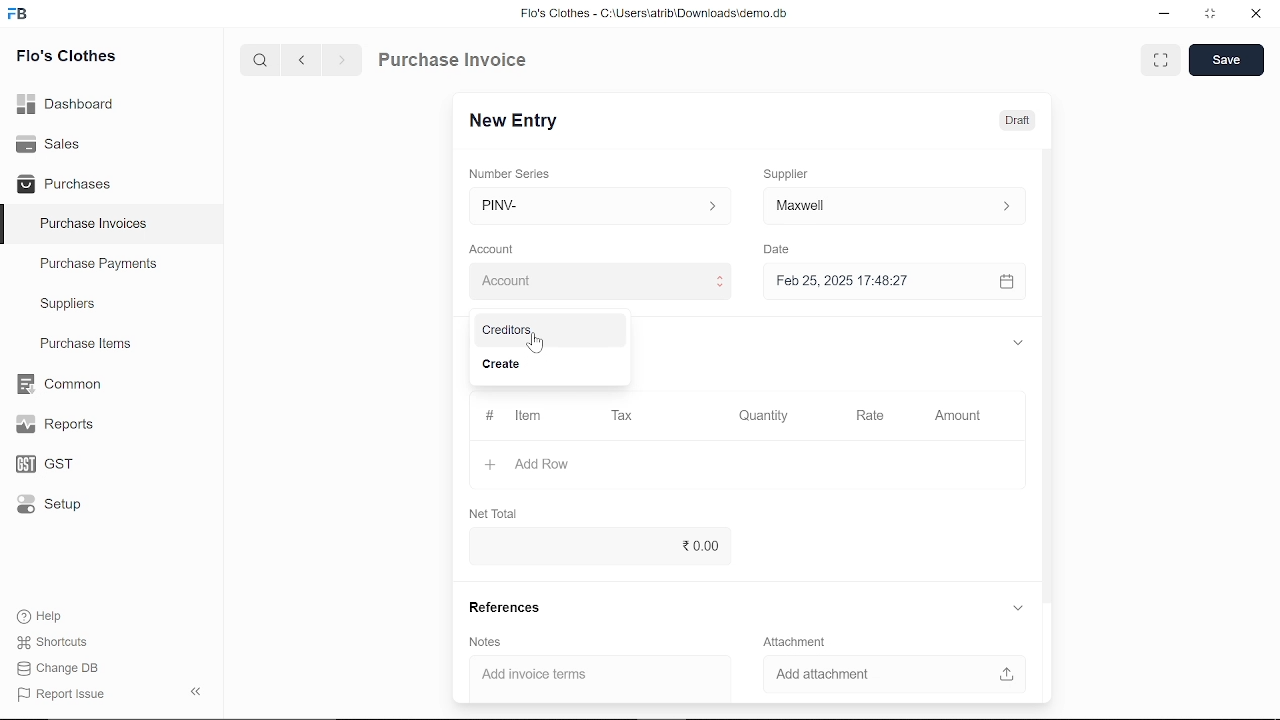  I want to click on Create, so click(544, 366).